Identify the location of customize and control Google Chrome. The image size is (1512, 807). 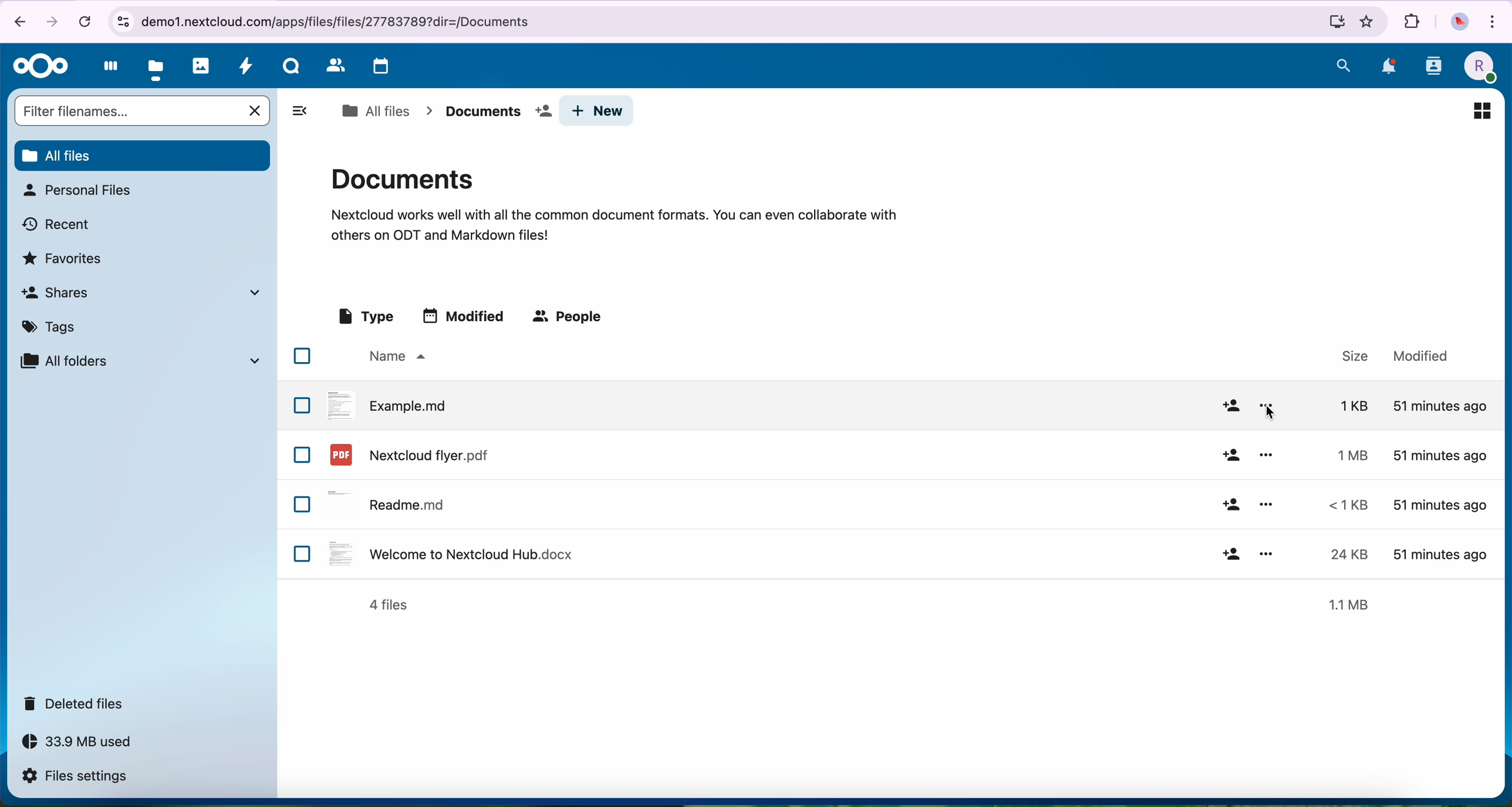
(1496, 20).